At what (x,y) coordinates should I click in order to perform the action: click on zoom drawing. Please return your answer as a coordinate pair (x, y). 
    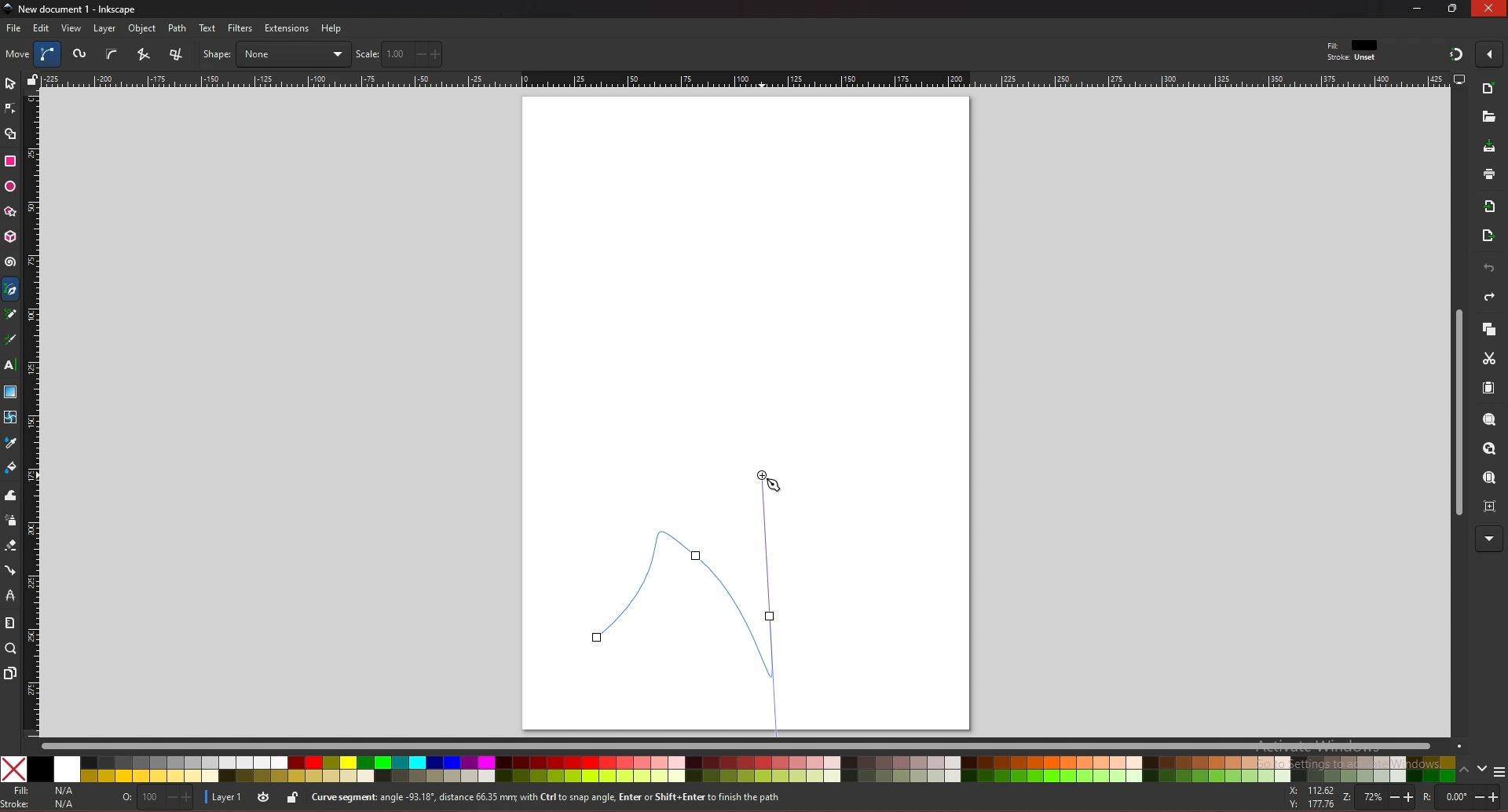
    Looking at the image, I should click on (1488, 449).